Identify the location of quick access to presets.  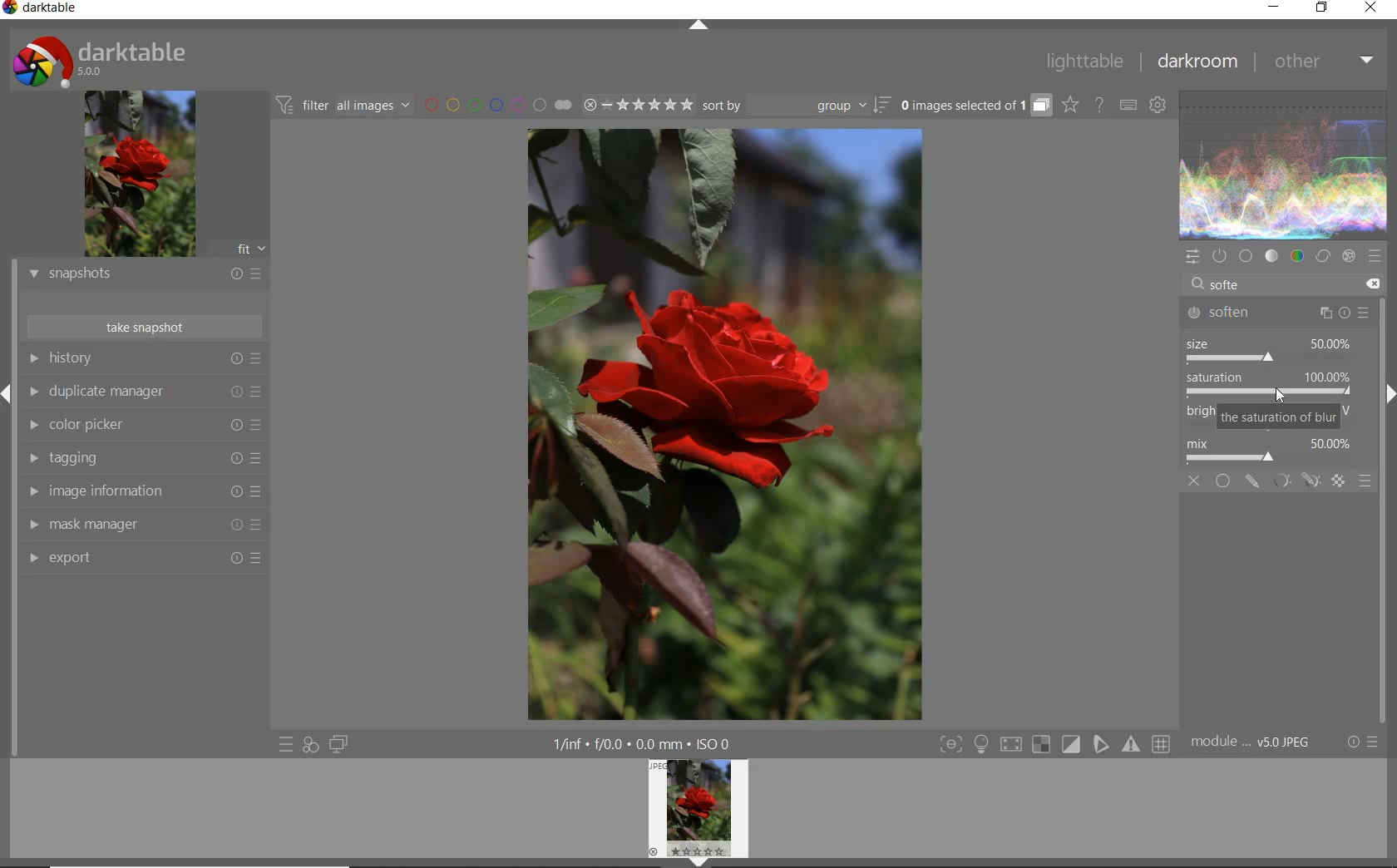
(286, 745).